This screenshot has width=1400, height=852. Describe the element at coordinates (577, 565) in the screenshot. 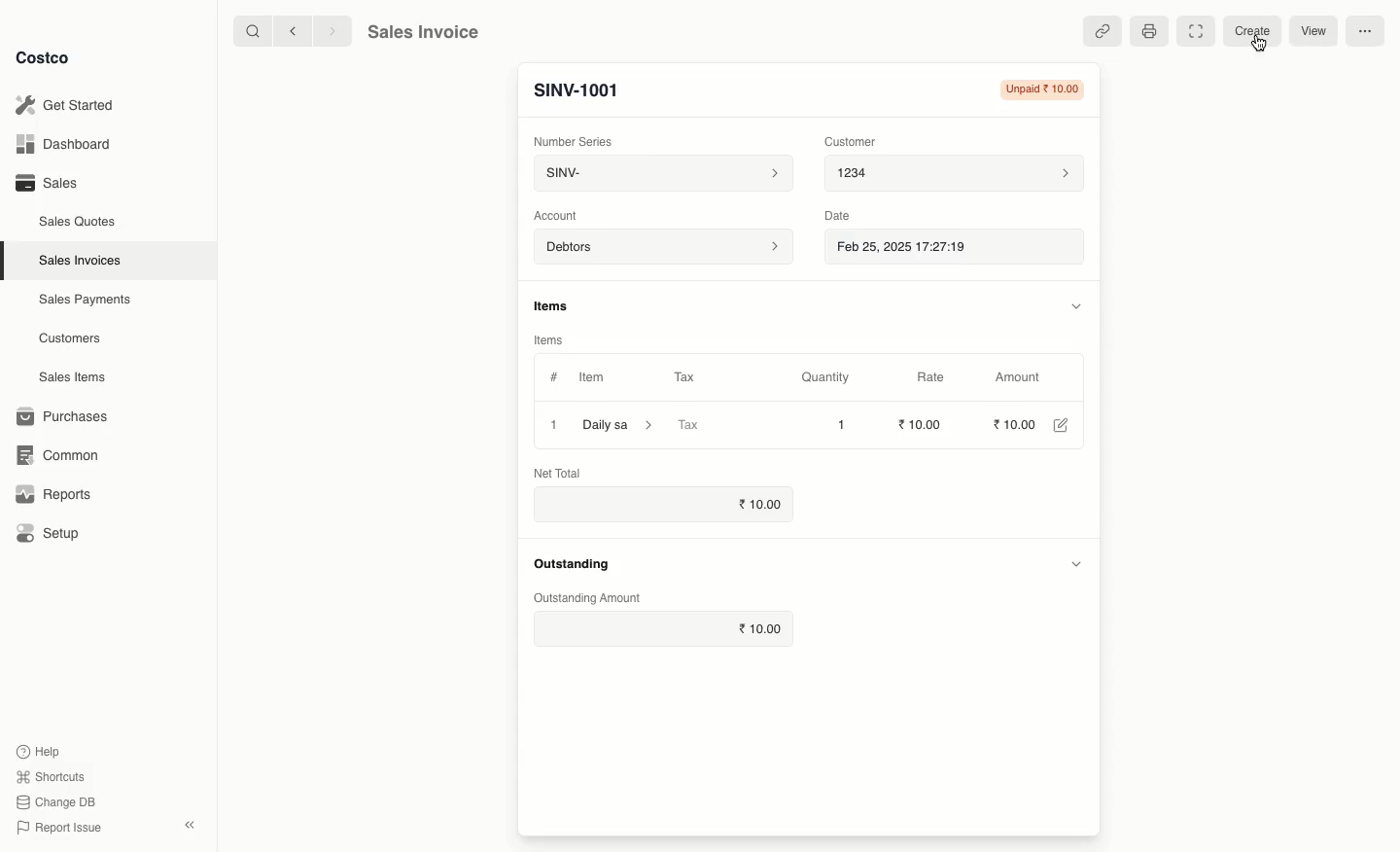

I see `Outstanding` at that location.